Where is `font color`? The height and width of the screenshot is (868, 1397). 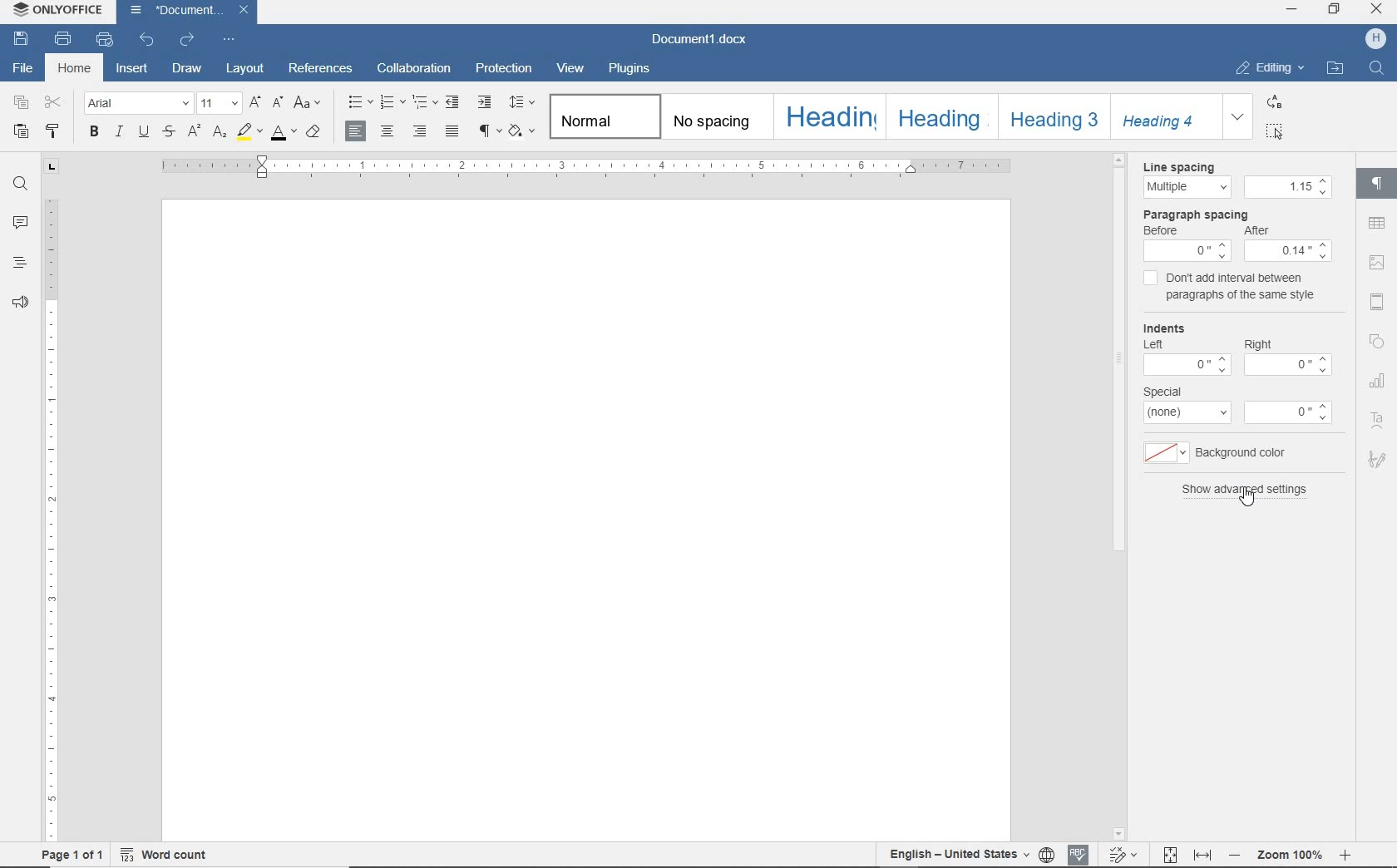 font color is located at coordinates (282, 133).